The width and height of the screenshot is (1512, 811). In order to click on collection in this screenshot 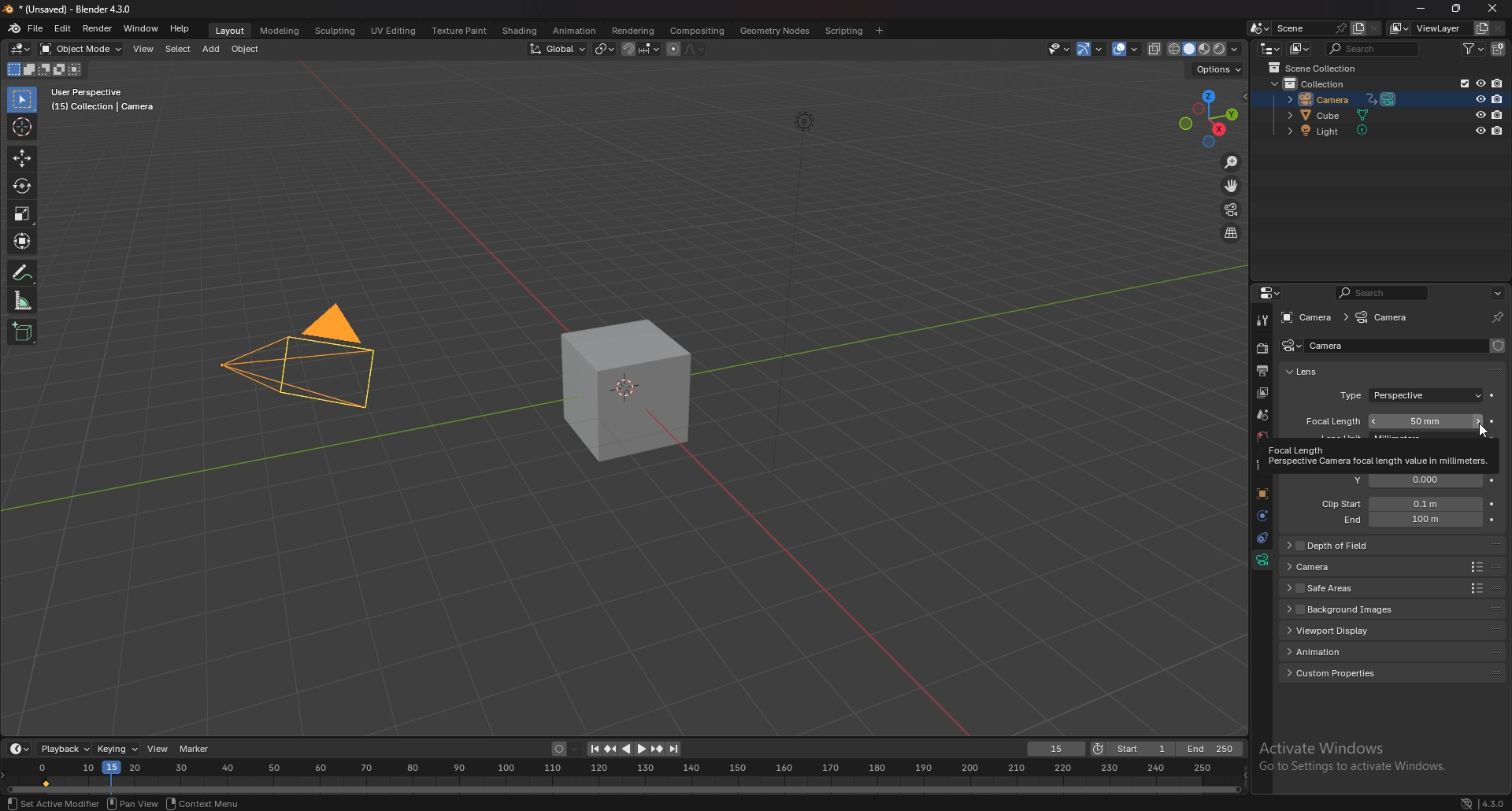, I will do `click(1315, 83)`.